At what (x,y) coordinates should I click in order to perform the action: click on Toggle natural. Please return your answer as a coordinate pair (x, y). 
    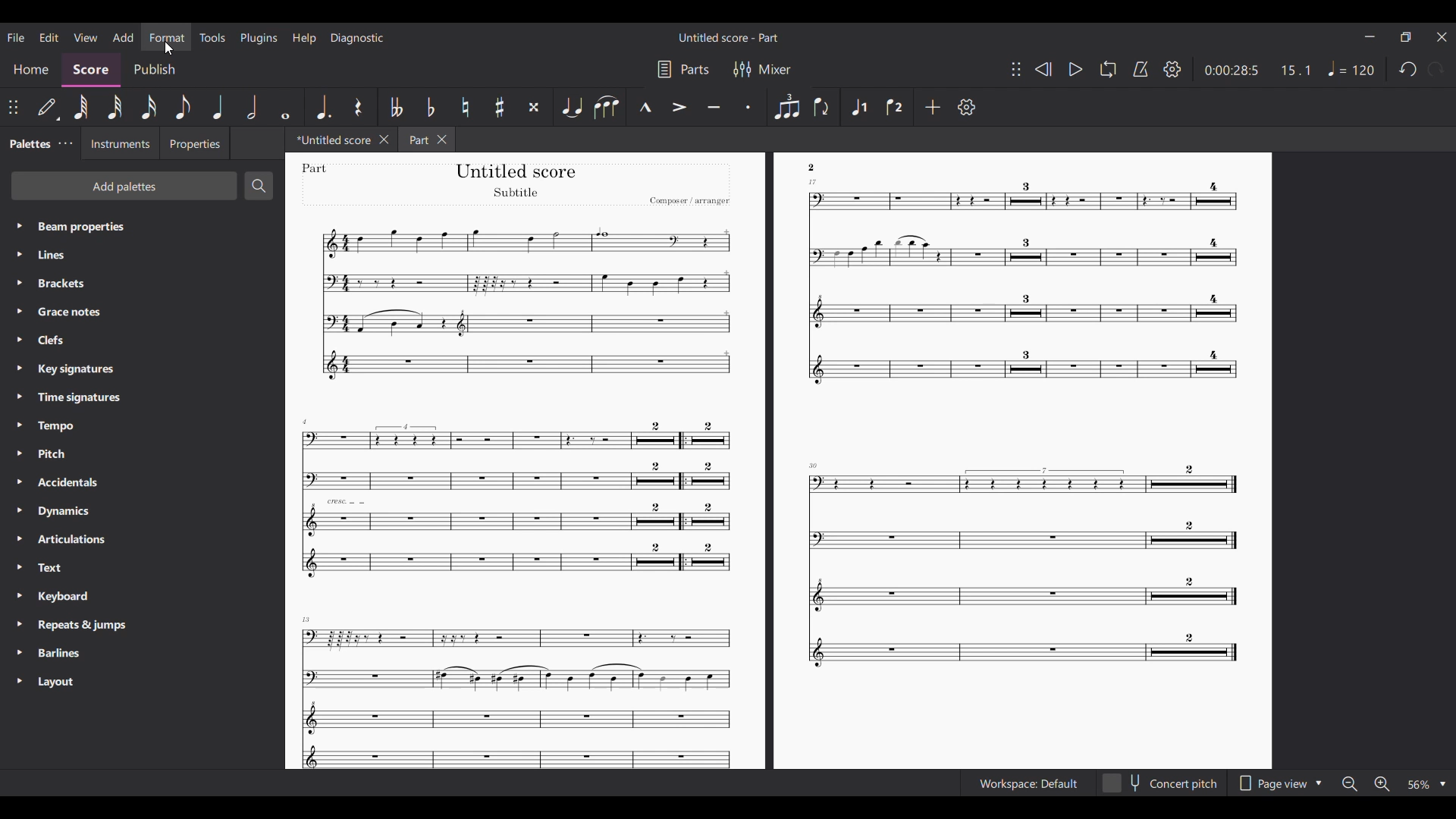
    Looking at the image, I should click on (466, 107).